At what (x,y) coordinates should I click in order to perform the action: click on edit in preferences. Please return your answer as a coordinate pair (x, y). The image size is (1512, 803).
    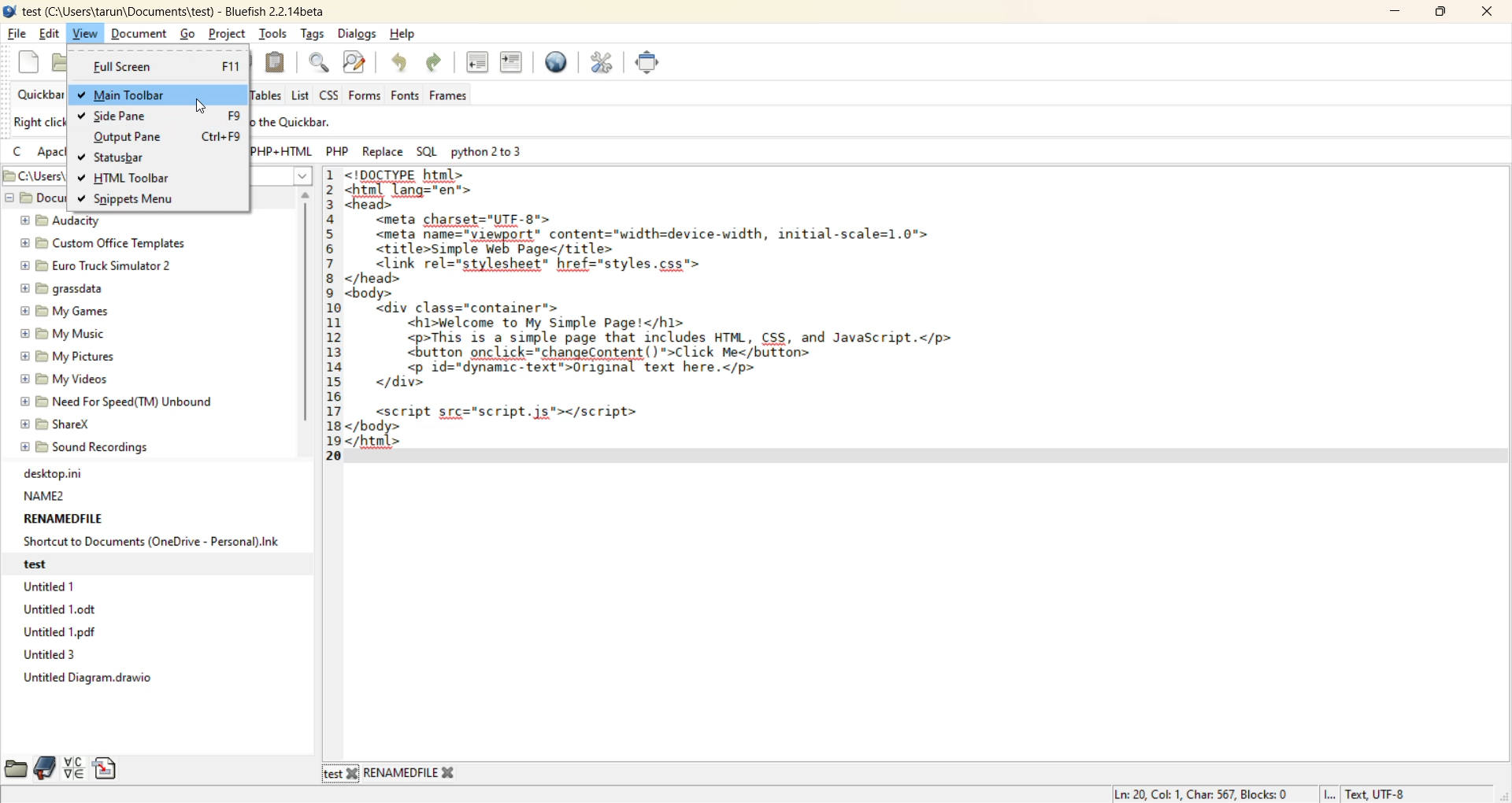
    Looking at the image, I should click on (604, 67).